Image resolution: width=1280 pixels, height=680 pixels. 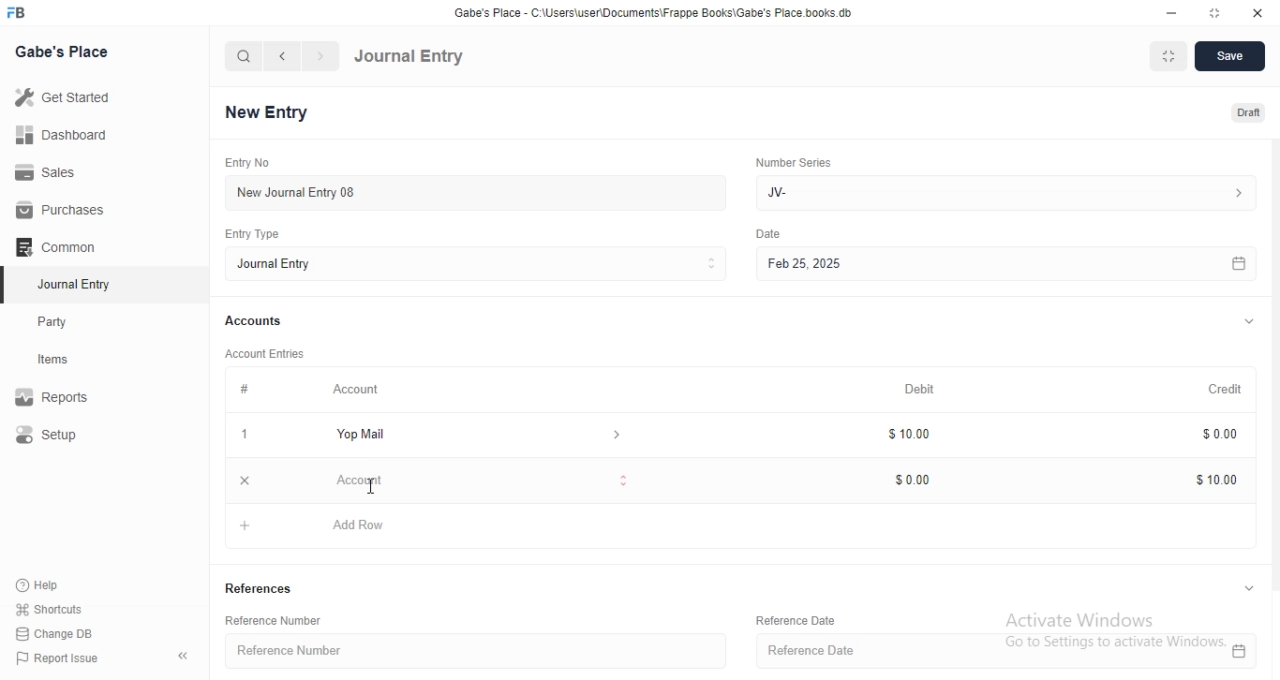 What do you see at coordinates (1256, 11) in the screenshot?
I see `close` at bounding box center [1256, 11].